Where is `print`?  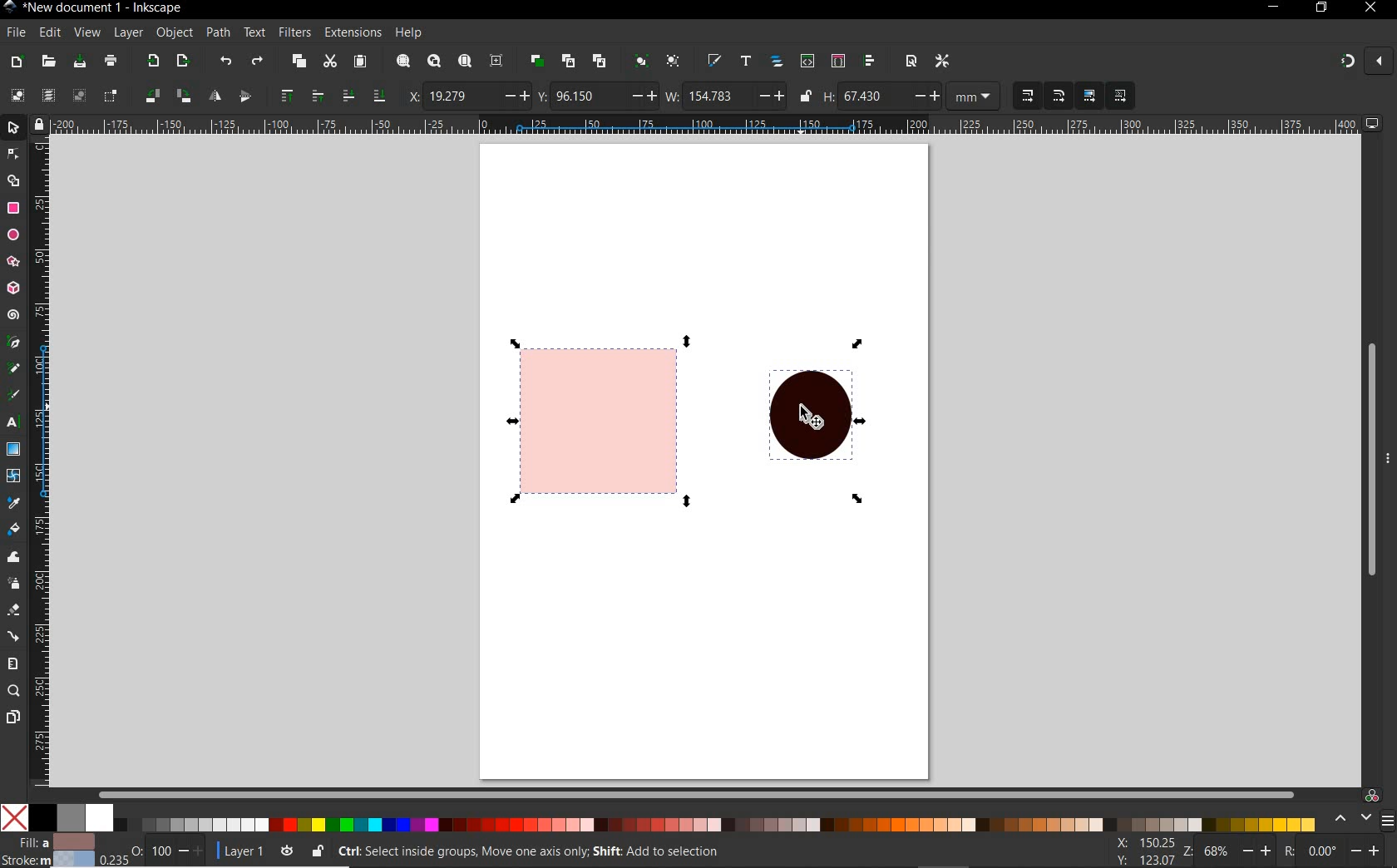
print is located at coordinates (111, 61).